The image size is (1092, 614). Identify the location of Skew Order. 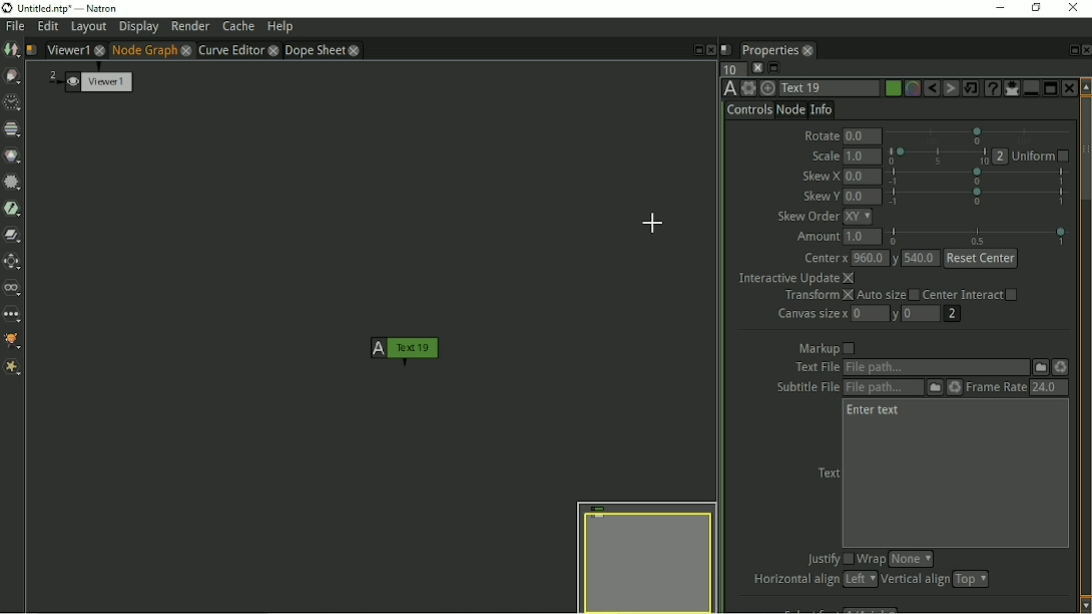
(805, 216).